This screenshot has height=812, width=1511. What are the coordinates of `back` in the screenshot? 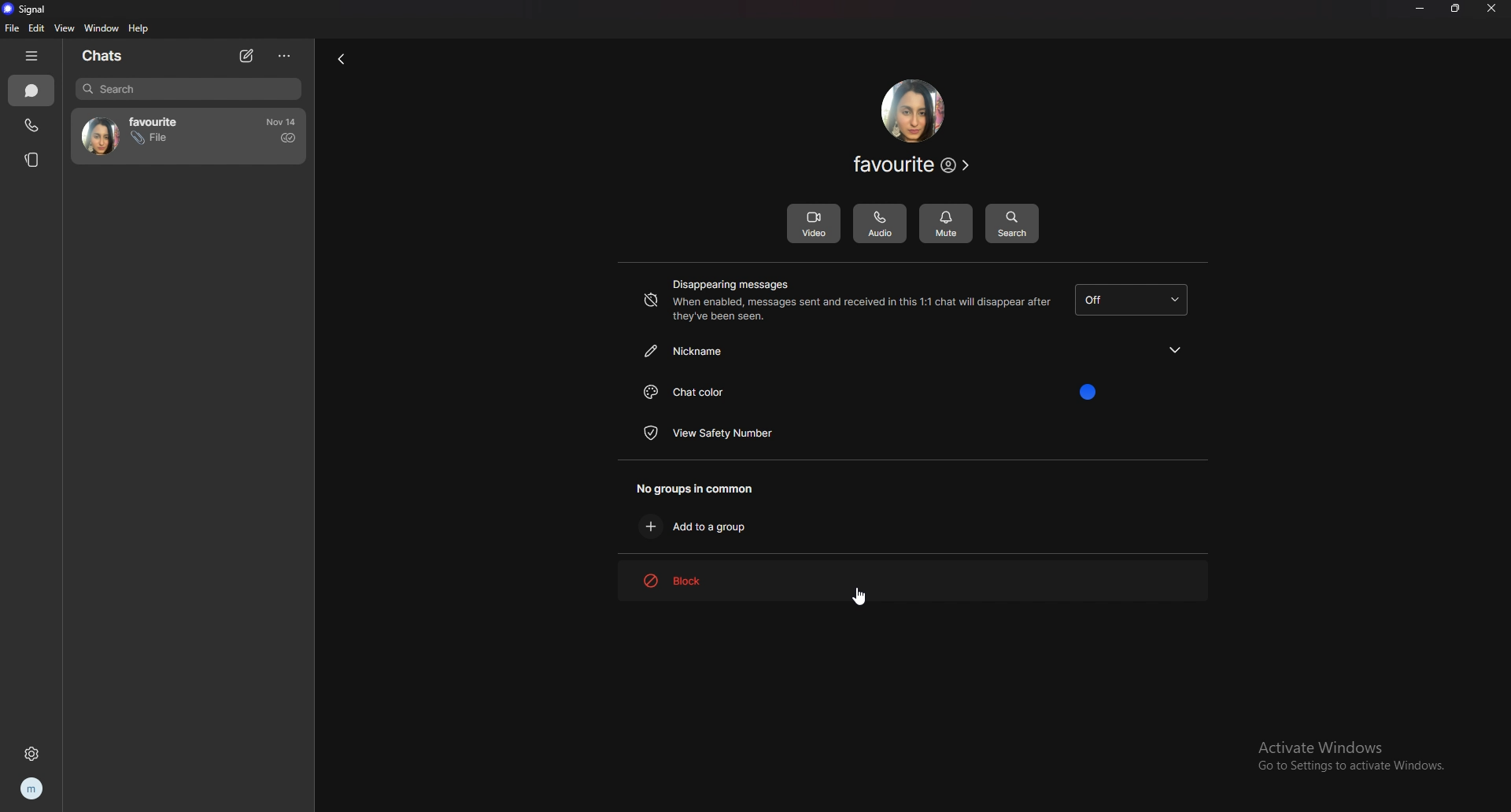 It's located at (341, 58).